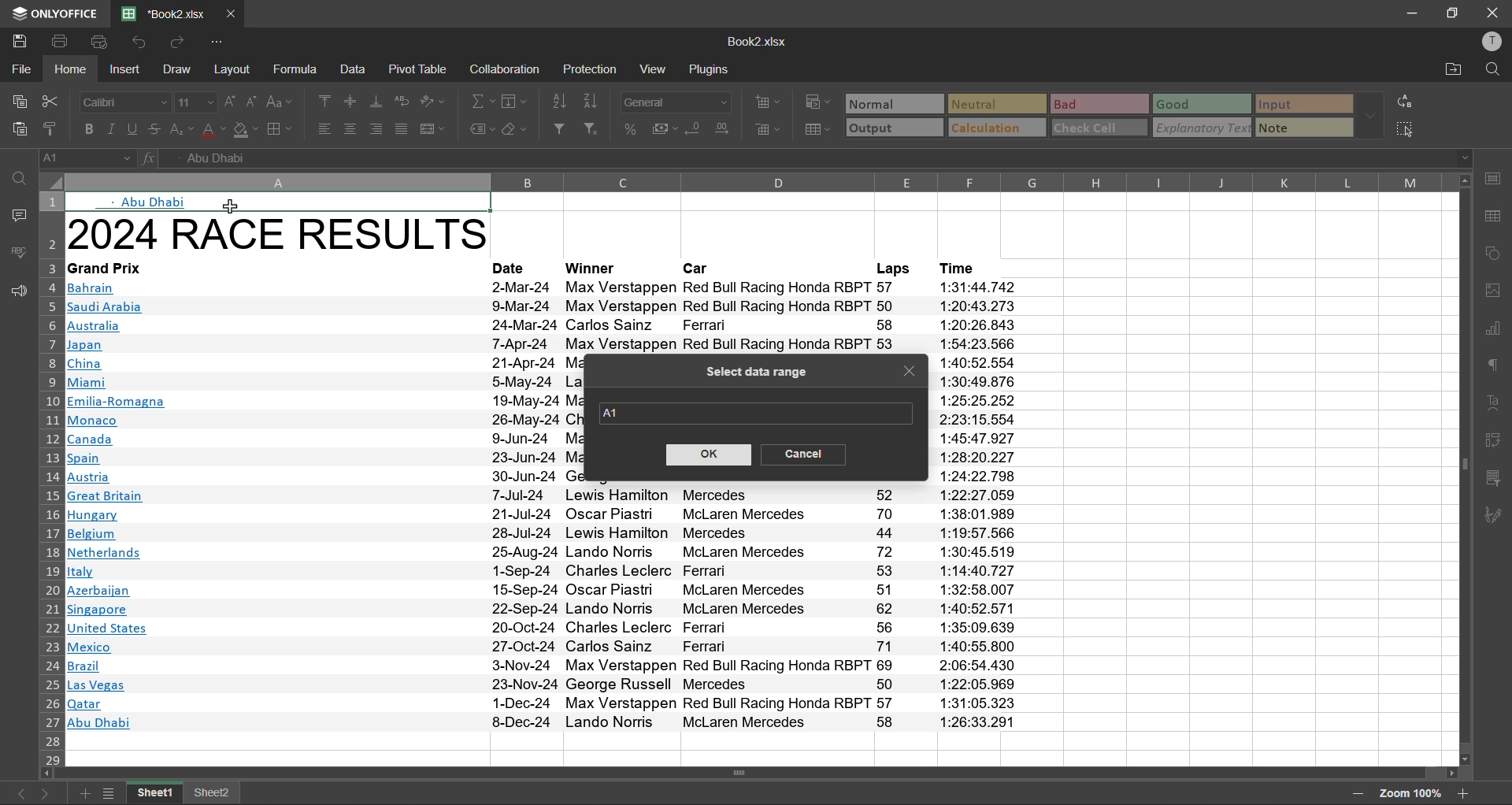 Image resolution: width=1512 pixels, height=805 pixels. Describe the element at coordinates (106, 793) in the screenshot. I see `sheet list` at that location.